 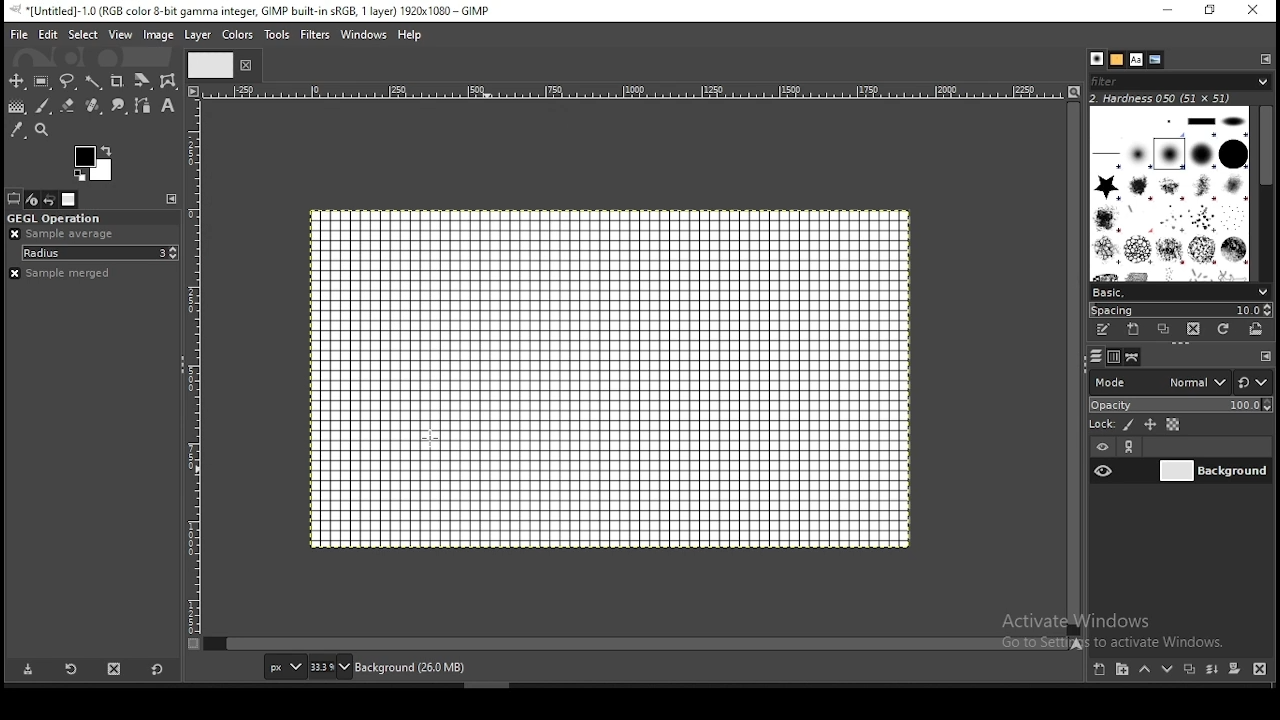 I want to click on undo history, so click(x=50, y=200).